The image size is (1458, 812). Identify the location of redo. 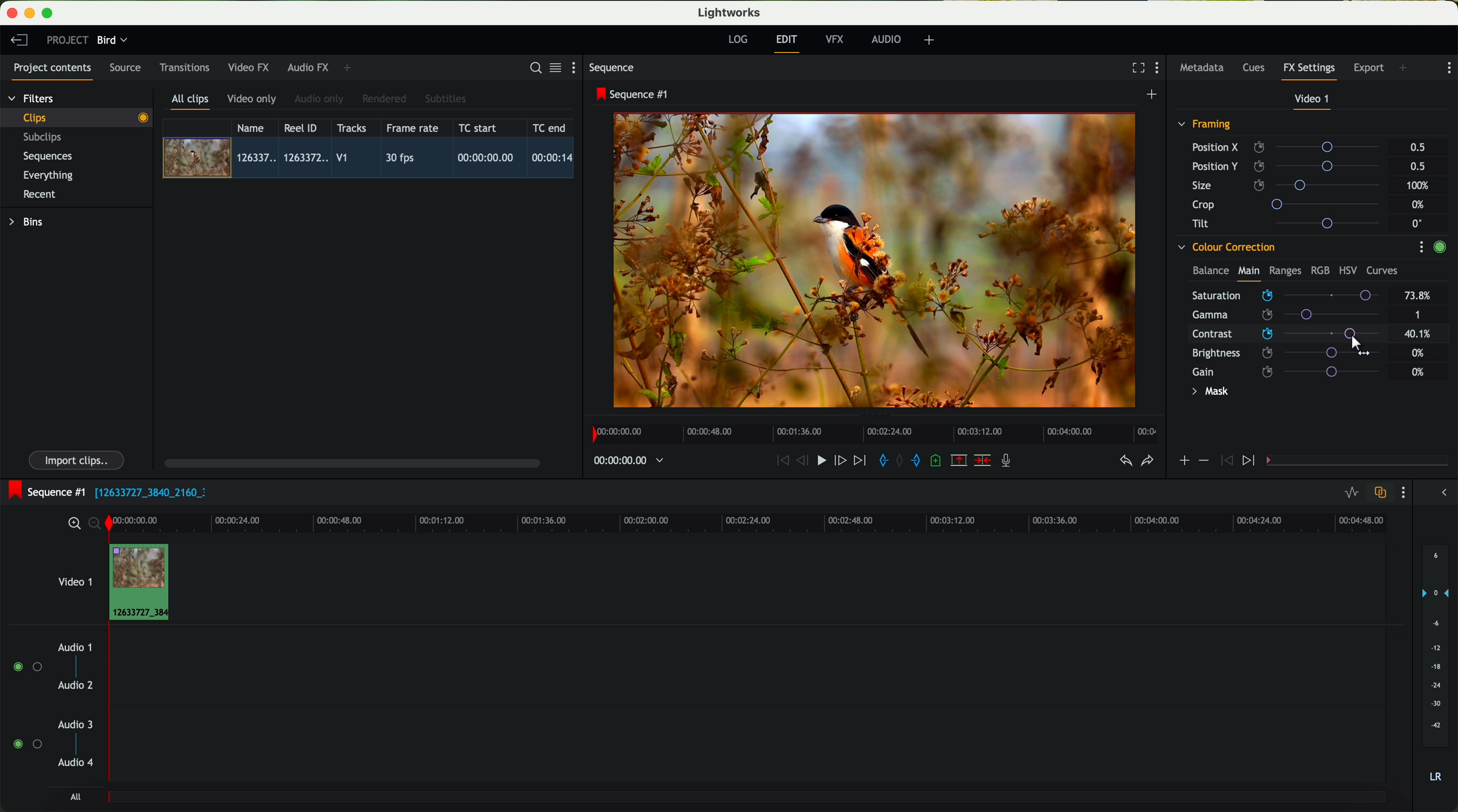
(1147, 462).